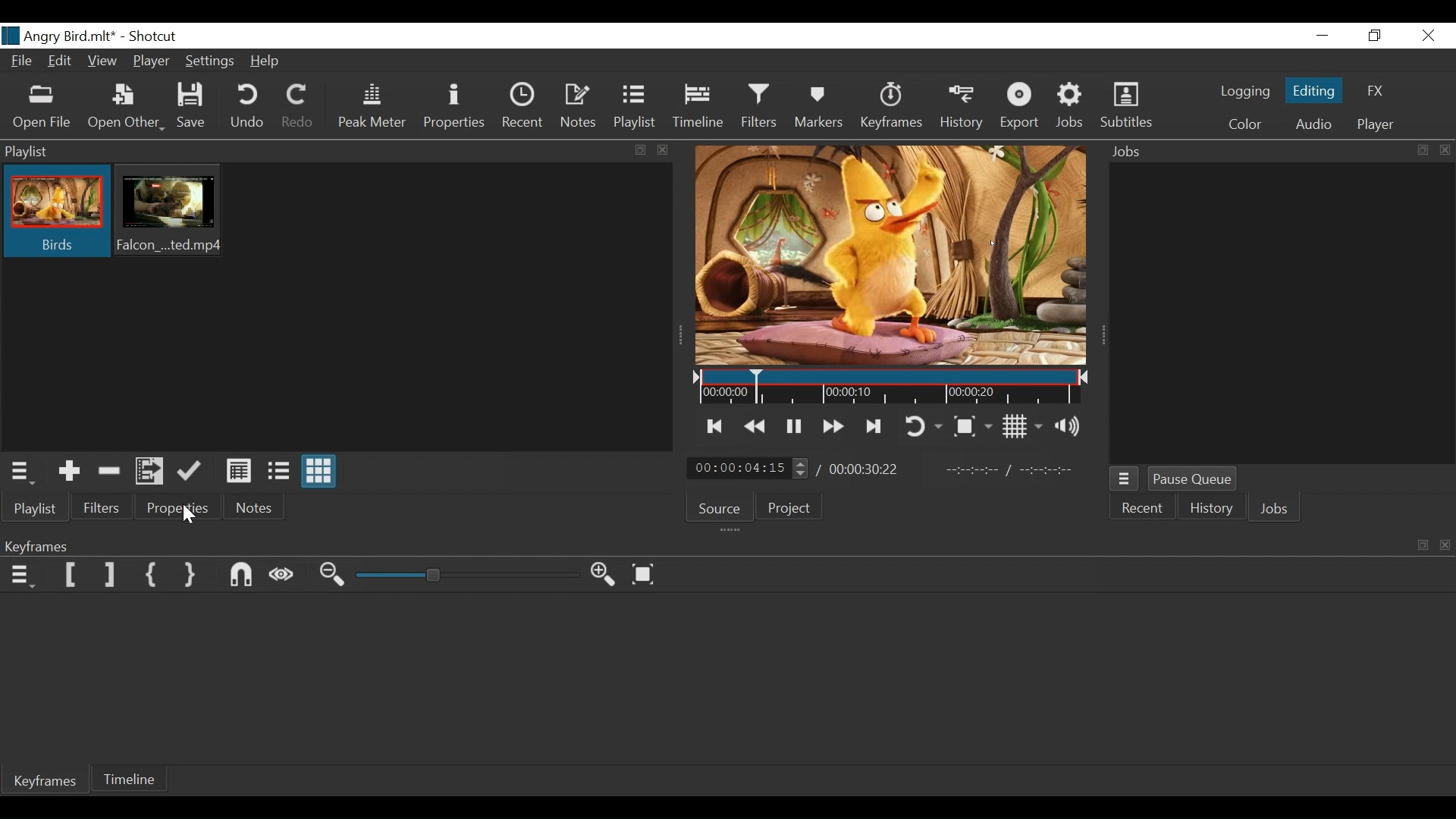 This screenshot has width=1456, height=819. What do you see at coordinates (22, 62) in the screenshot?
I see `File` at bounding box center [22, 62].